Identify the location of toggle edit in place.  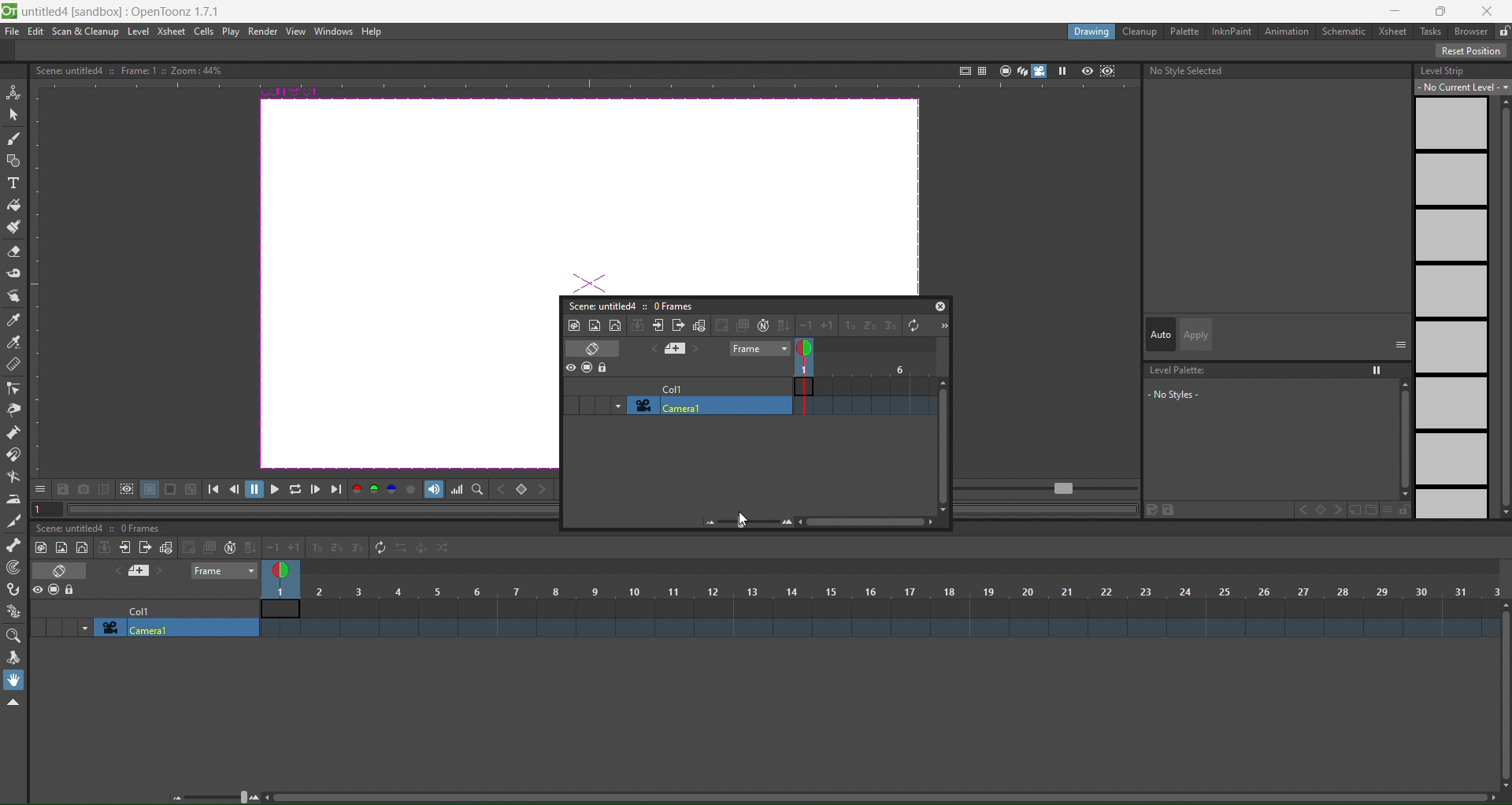
(165, 547).